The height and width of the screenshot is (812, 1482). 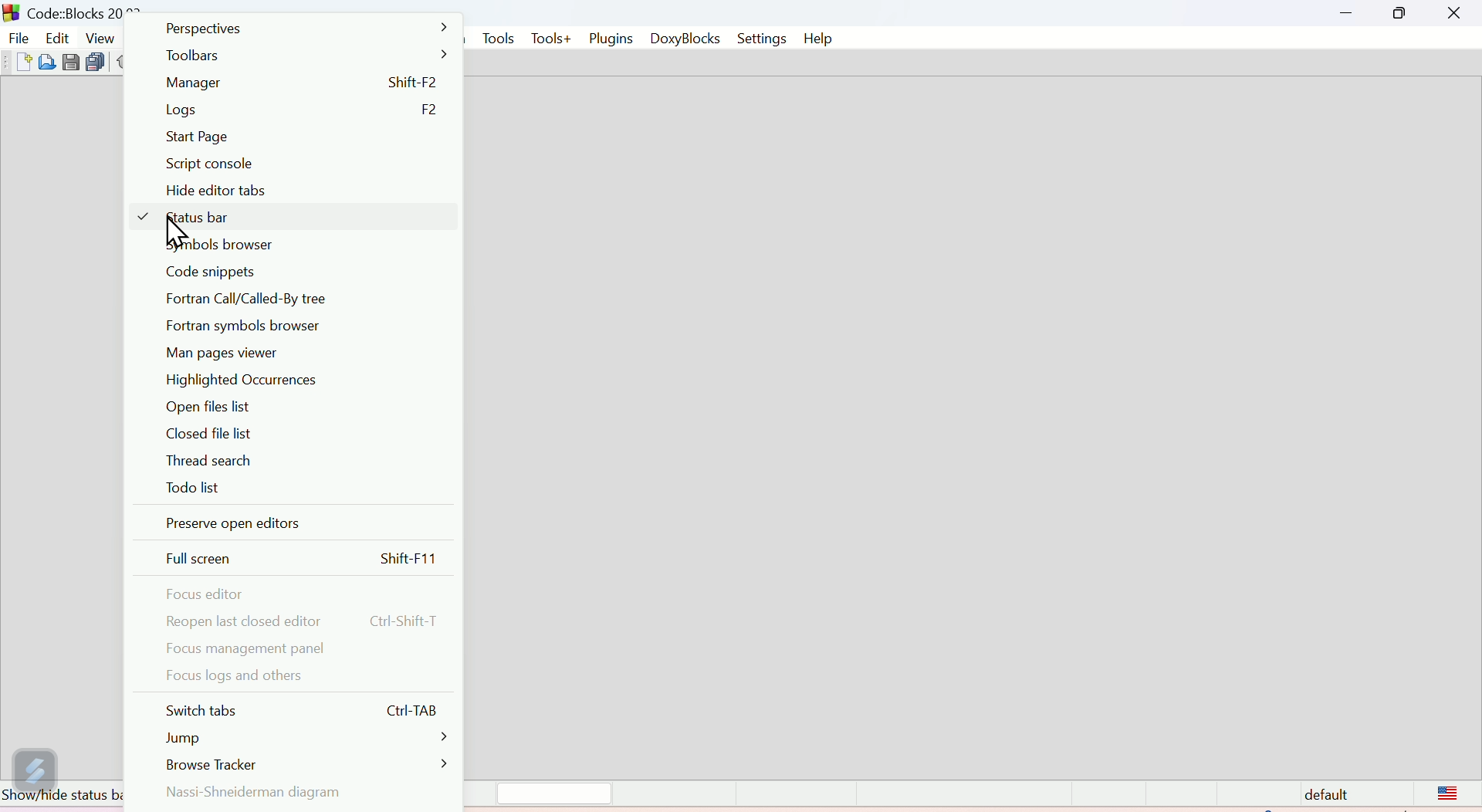 I want to click on Focus editor, so click(x=225, y=590).